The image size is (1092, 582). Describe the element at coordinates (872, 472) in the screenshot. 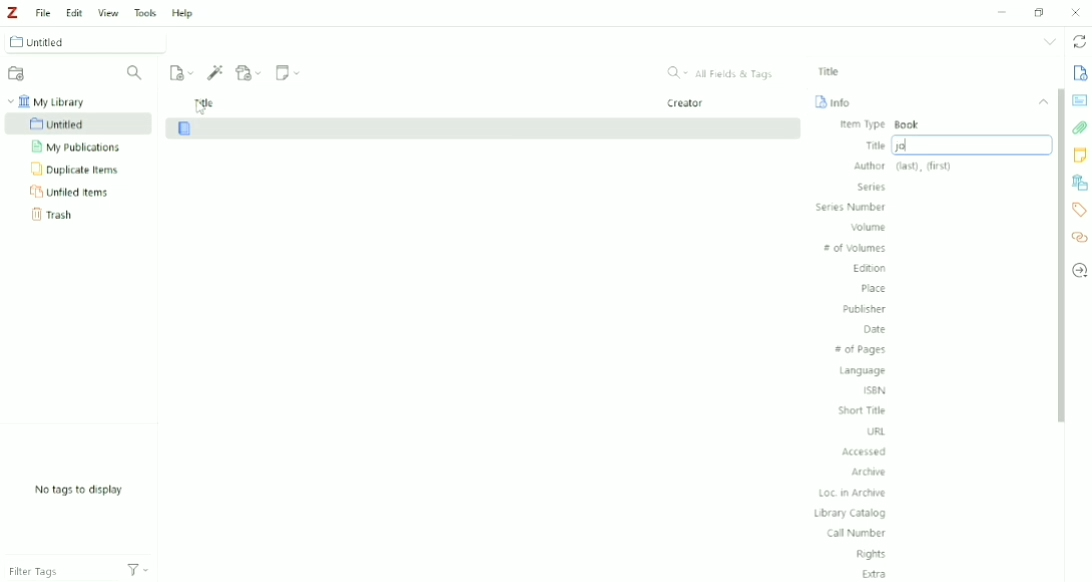

I see `Archive` at that location.